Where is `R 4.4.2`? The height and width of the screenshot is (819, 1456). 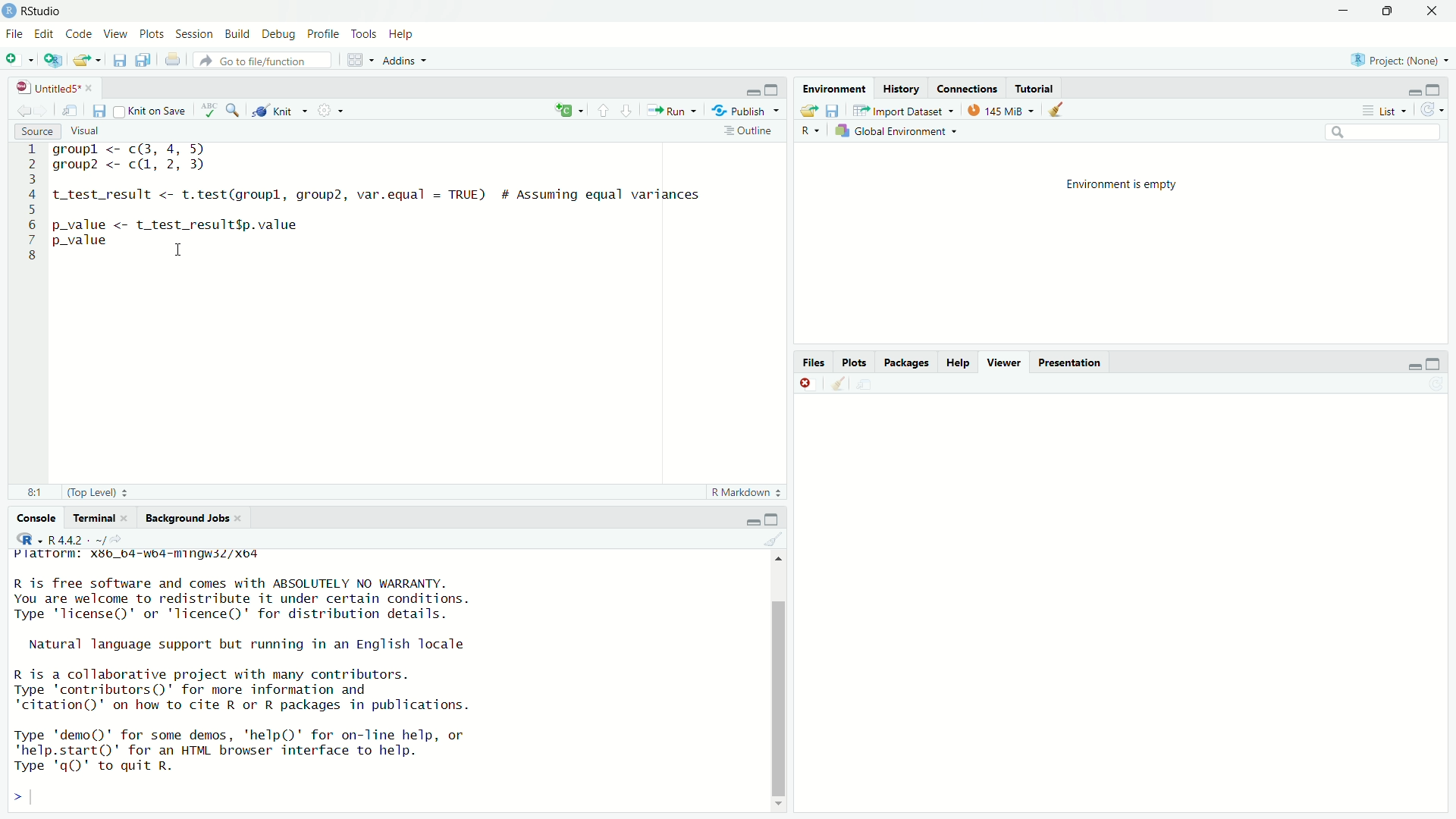 R 4.4.2 is located at coordinates (77, 539).